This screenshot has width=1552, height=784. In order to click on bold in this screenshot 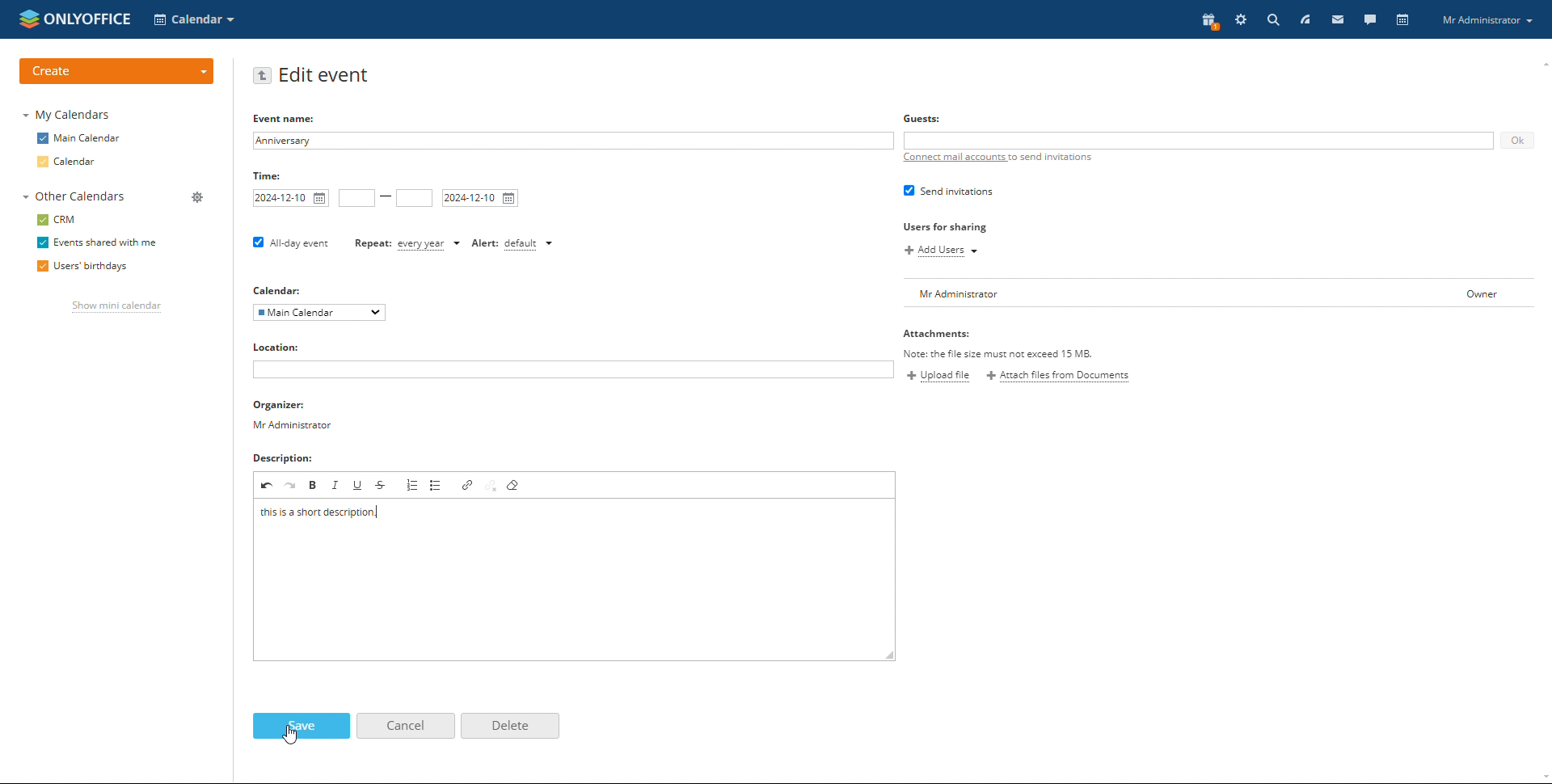, I will do `click(314, 484)`.